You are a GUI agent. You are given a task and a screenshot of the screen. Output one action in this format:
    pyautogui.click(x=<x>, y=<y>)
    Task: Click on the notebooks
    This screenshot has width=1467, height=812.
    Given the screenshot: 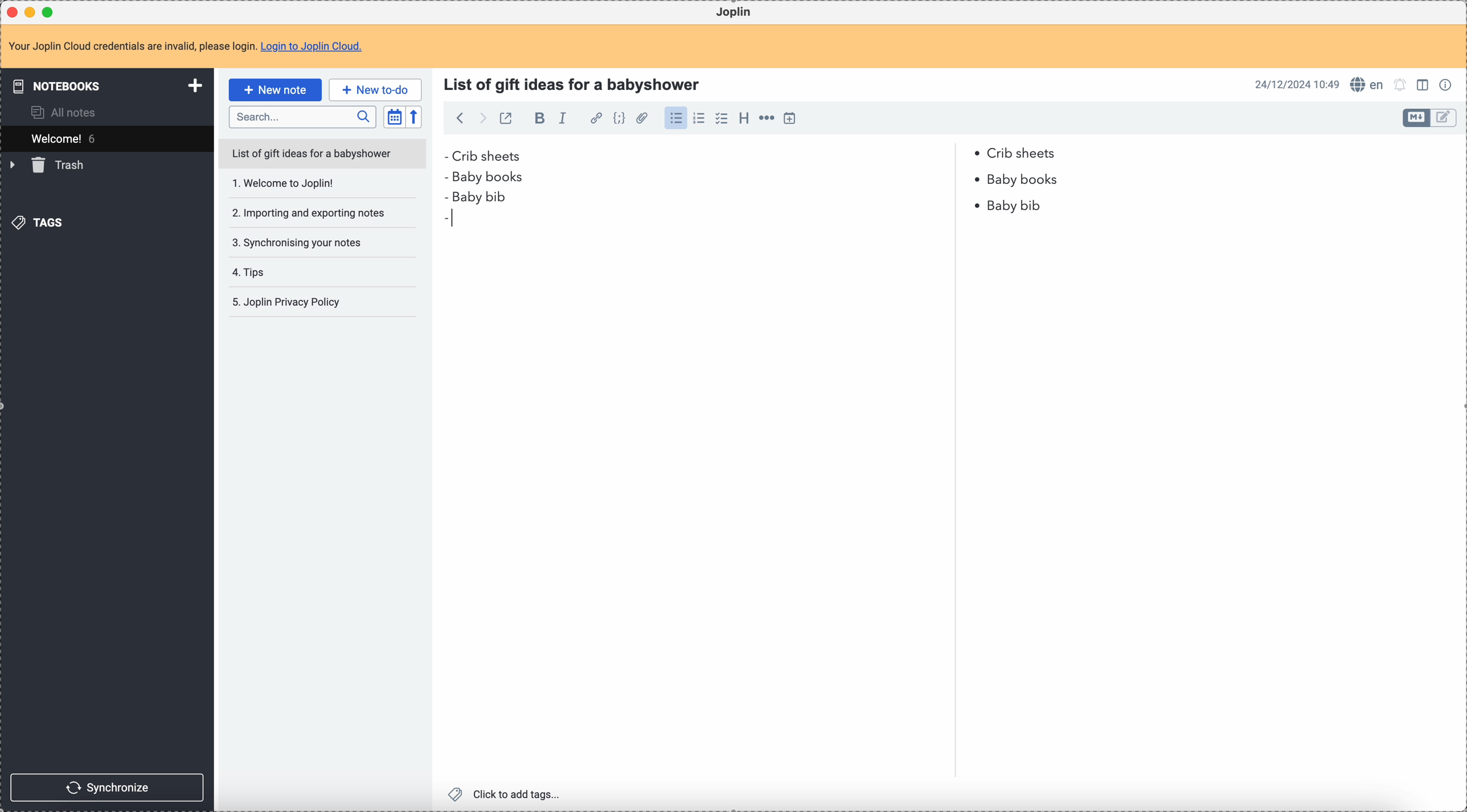 What is the action you would take?
    pyautogui.click(x=103, y=87)
    